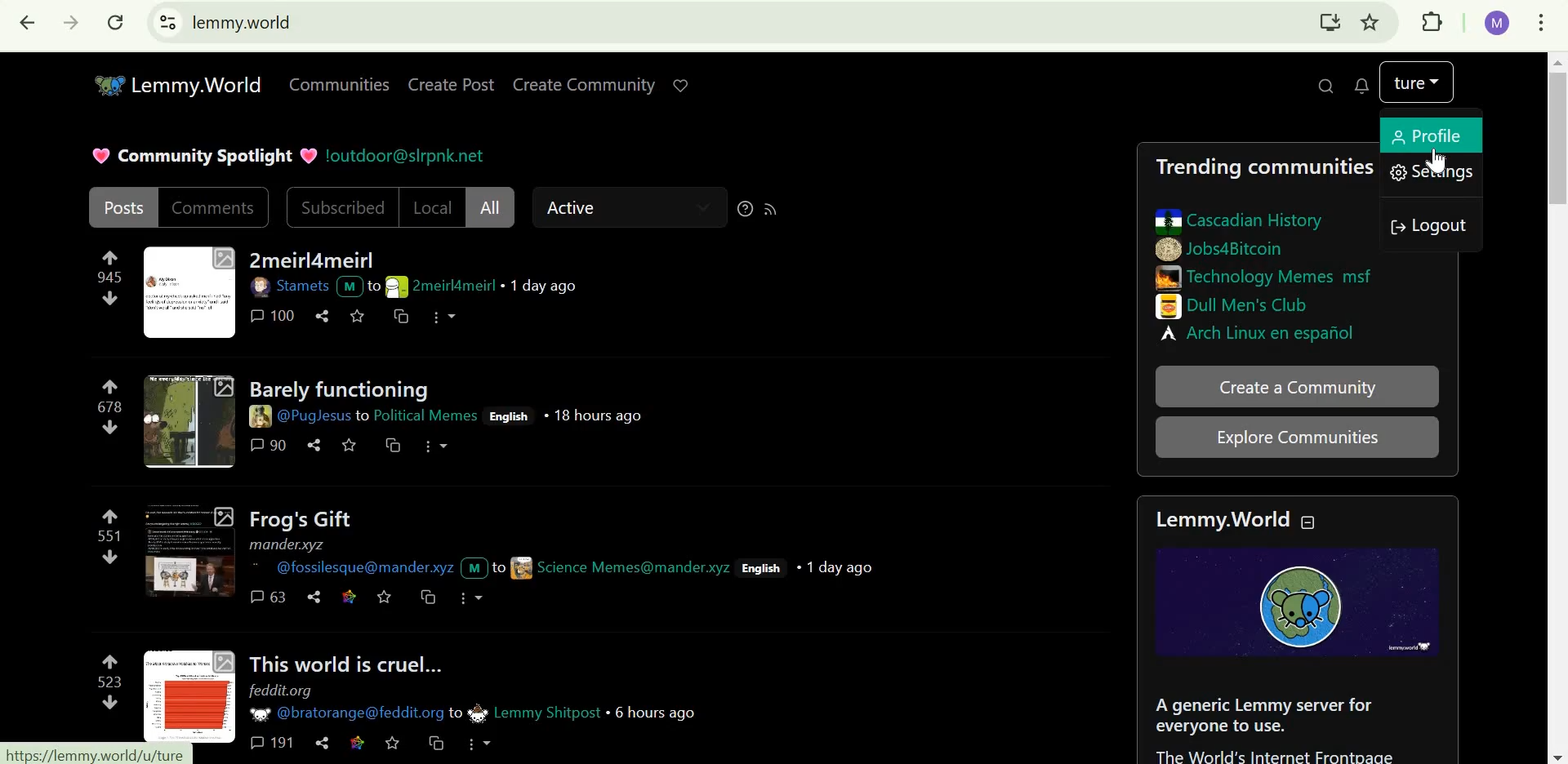 The height and width of the screenshot is (764, 1568). What do you see at coordinates (242, 21) in the screenshot?
I see `lemmy.world` at bounding box center [242, 21].